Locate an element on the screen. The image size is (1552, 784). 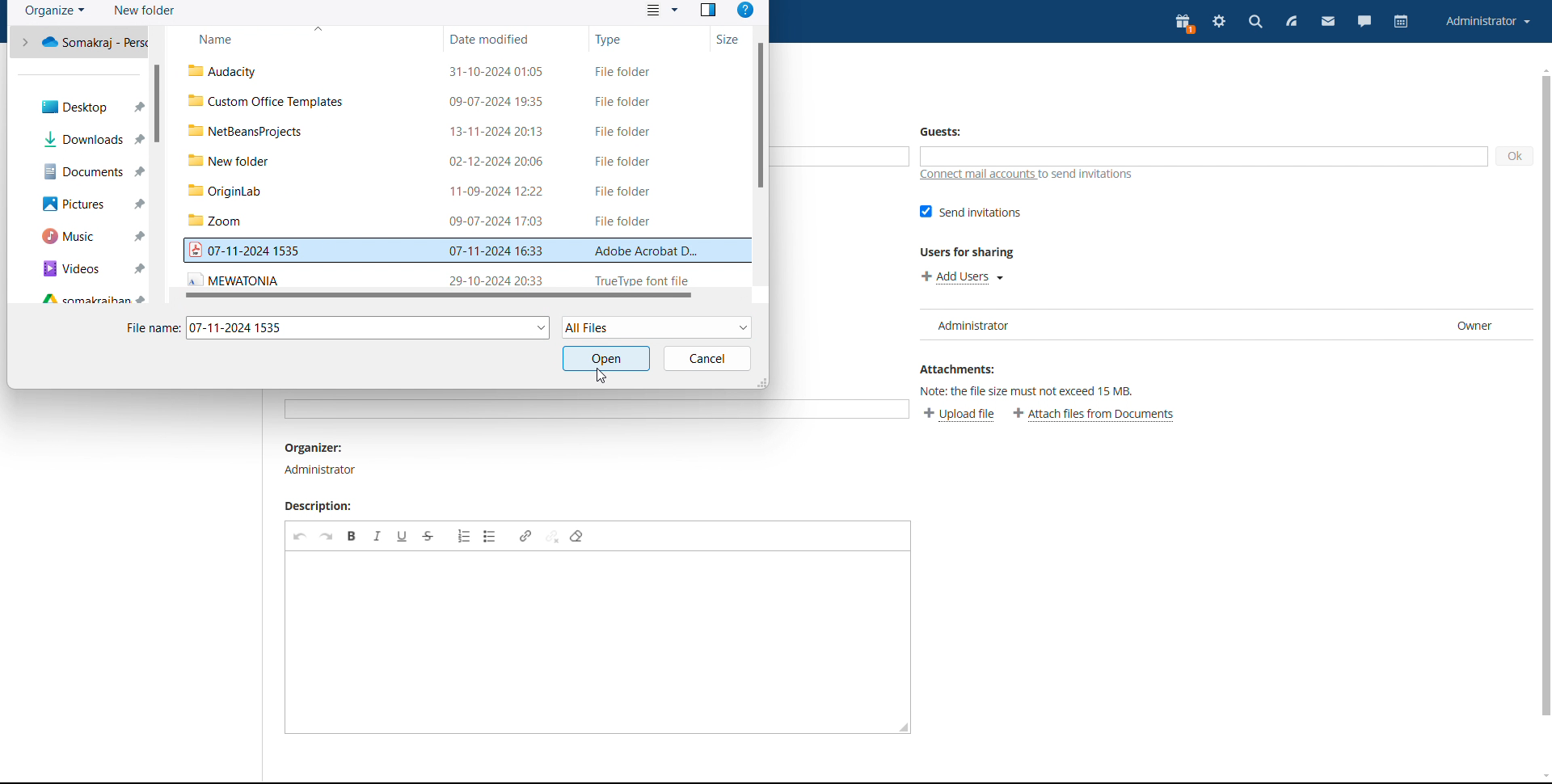
insert/remove numbered list is located at coordinates (464, 536).